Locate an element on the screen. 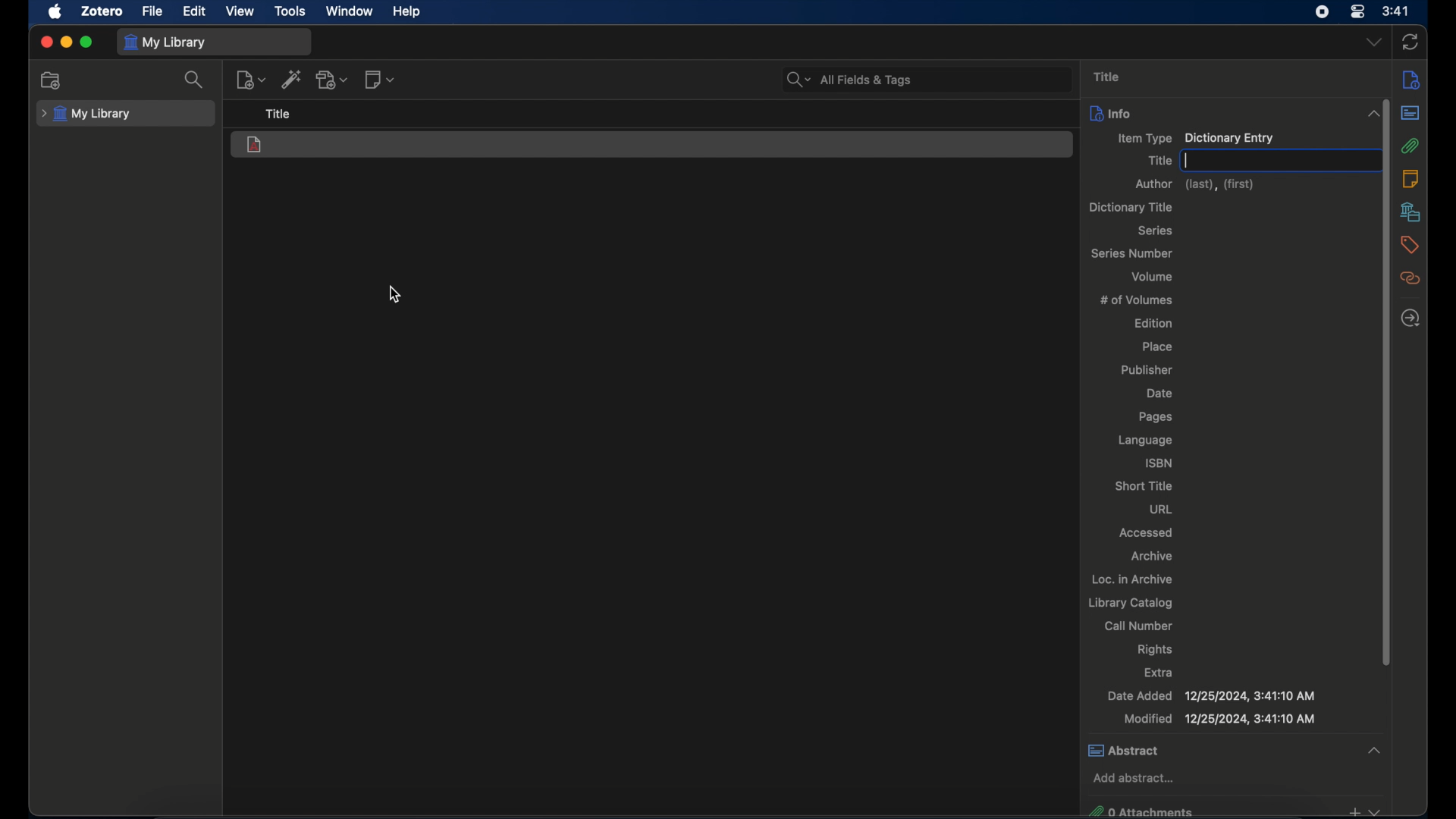  new item is located at coordinates (250, 79).